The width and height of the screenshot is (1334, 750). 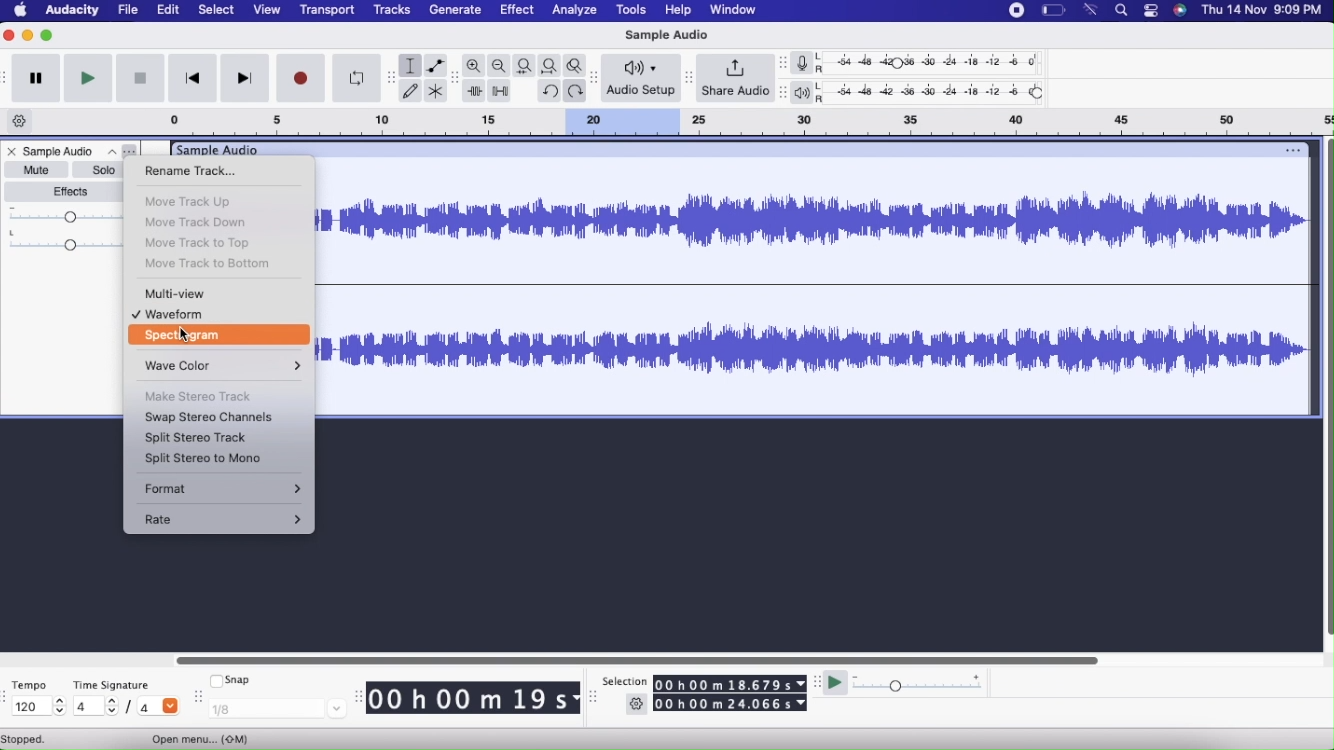 What do you see at coordinates (223, 336) in the screenshot?
I see `Spectrogram` at bounding box center [223, 336].